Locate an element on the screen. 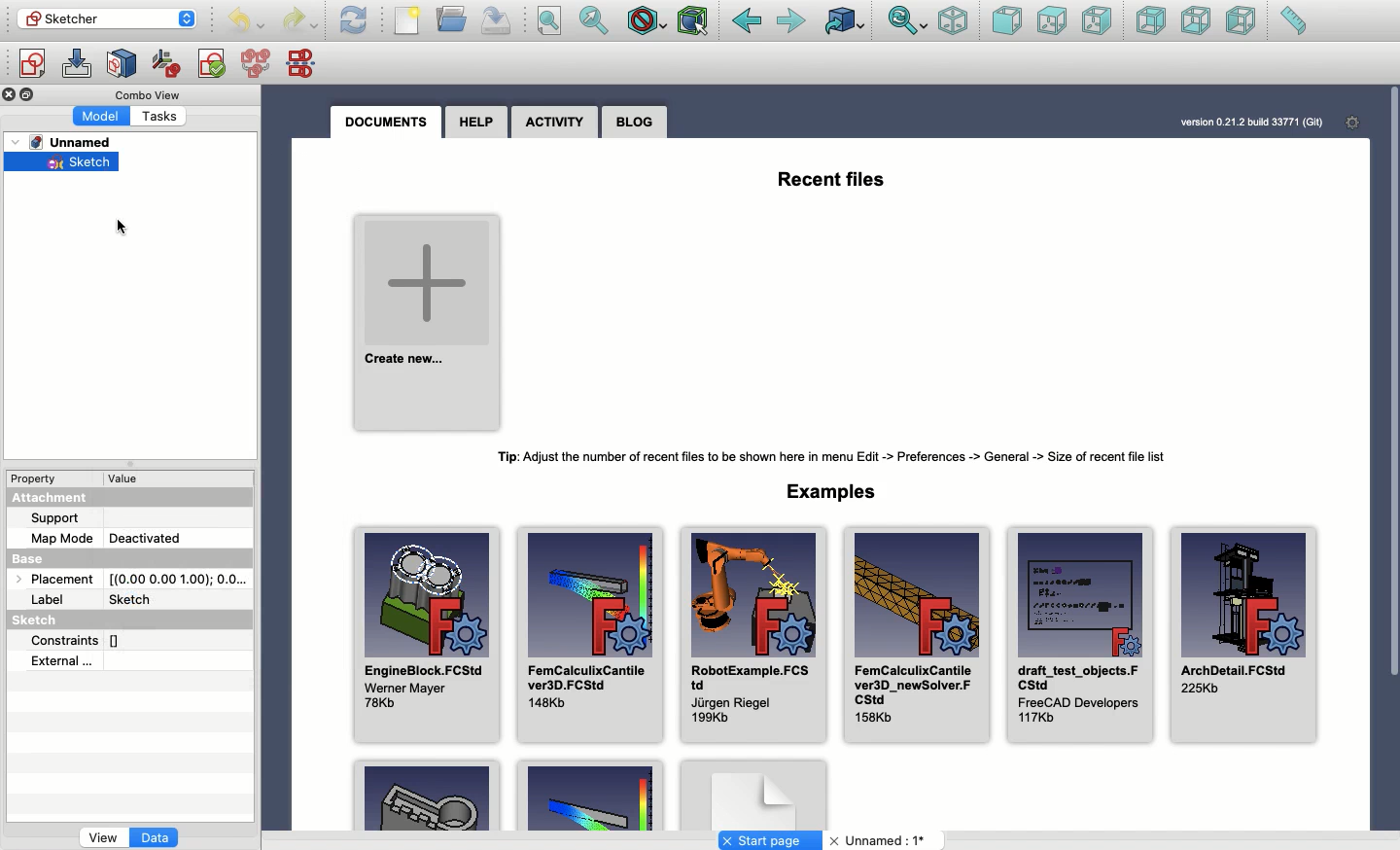 The width and height of the screenshot is (1400, 850). Help is located at coordinates (476, 122).